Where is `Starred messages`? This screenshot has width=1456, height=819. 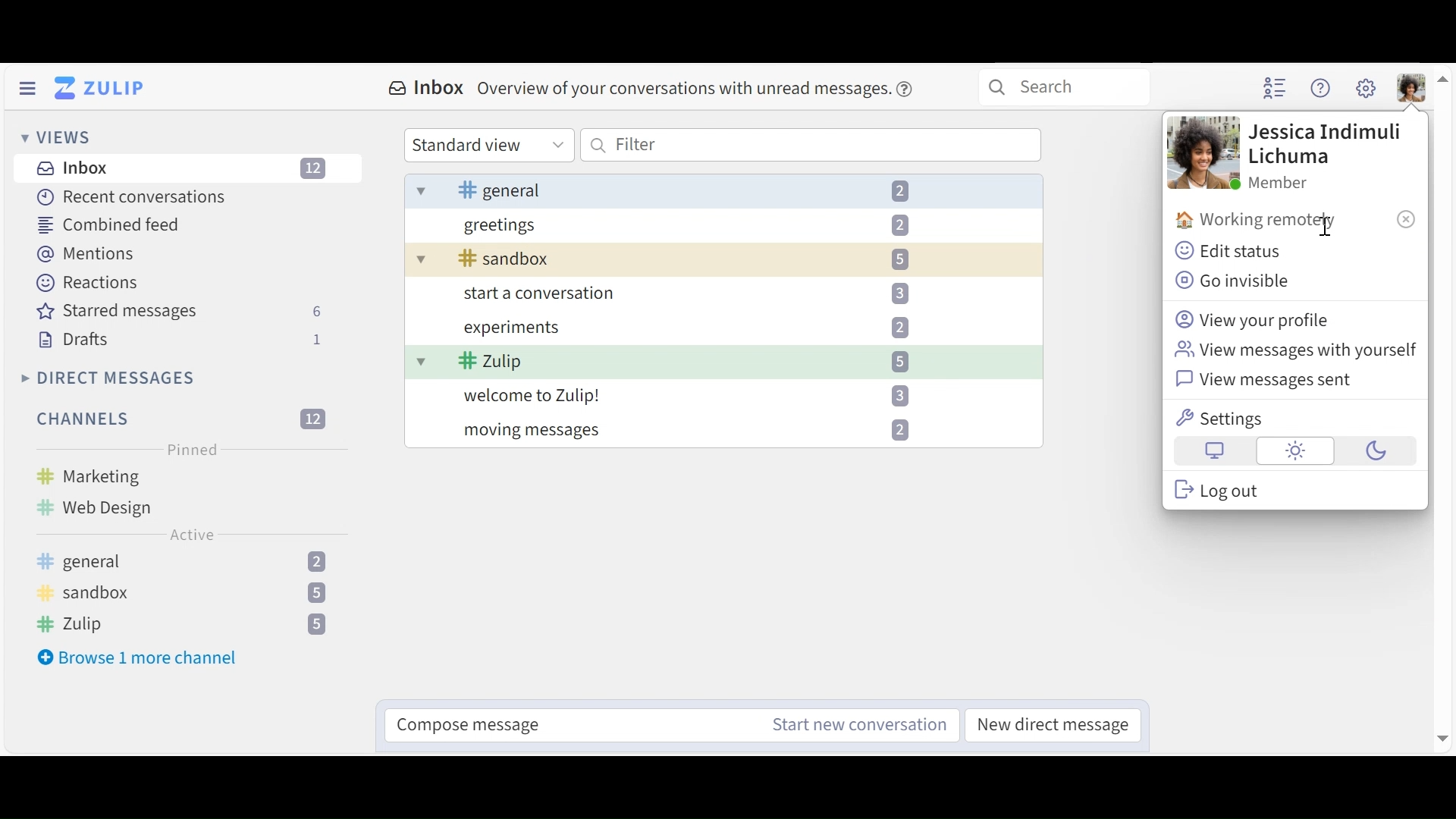
Starred messages is located at coordinates (180, 310).